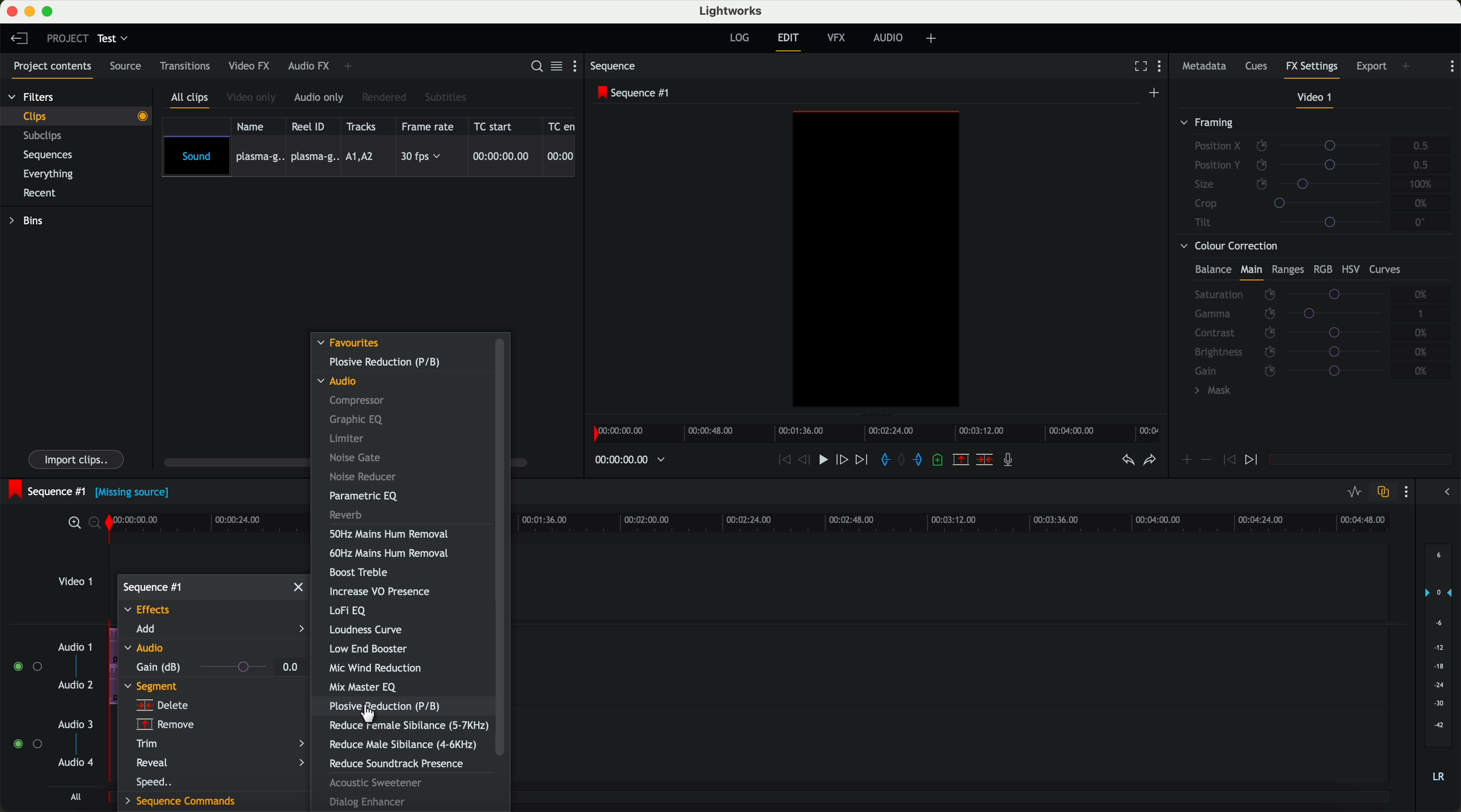  What do you see at coordinates (1314, 98) in the screenshot?
I see `video 1` at bounding box center [1314, 98].